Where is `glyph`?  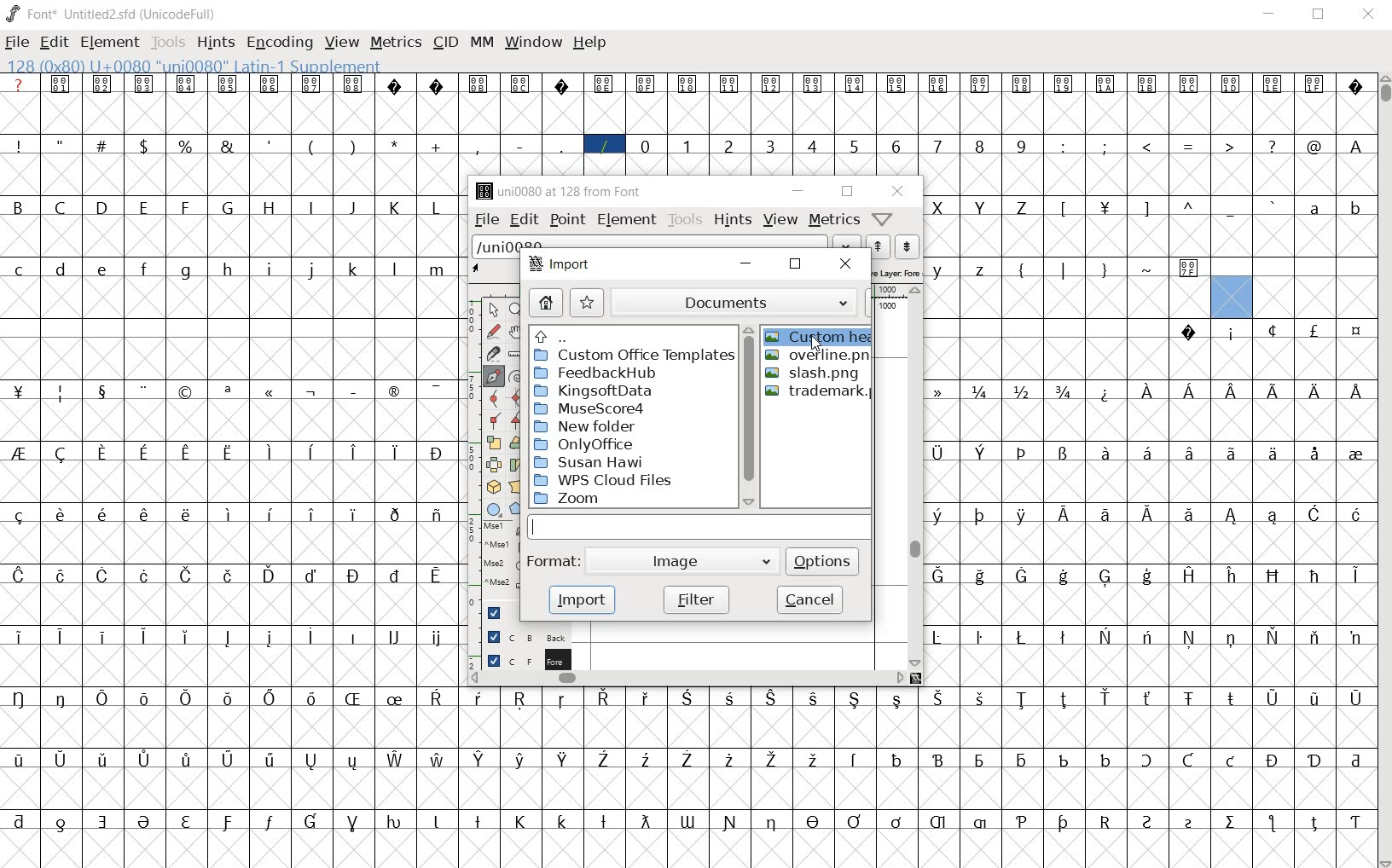 glyph is located at coordinates (1105, 760).